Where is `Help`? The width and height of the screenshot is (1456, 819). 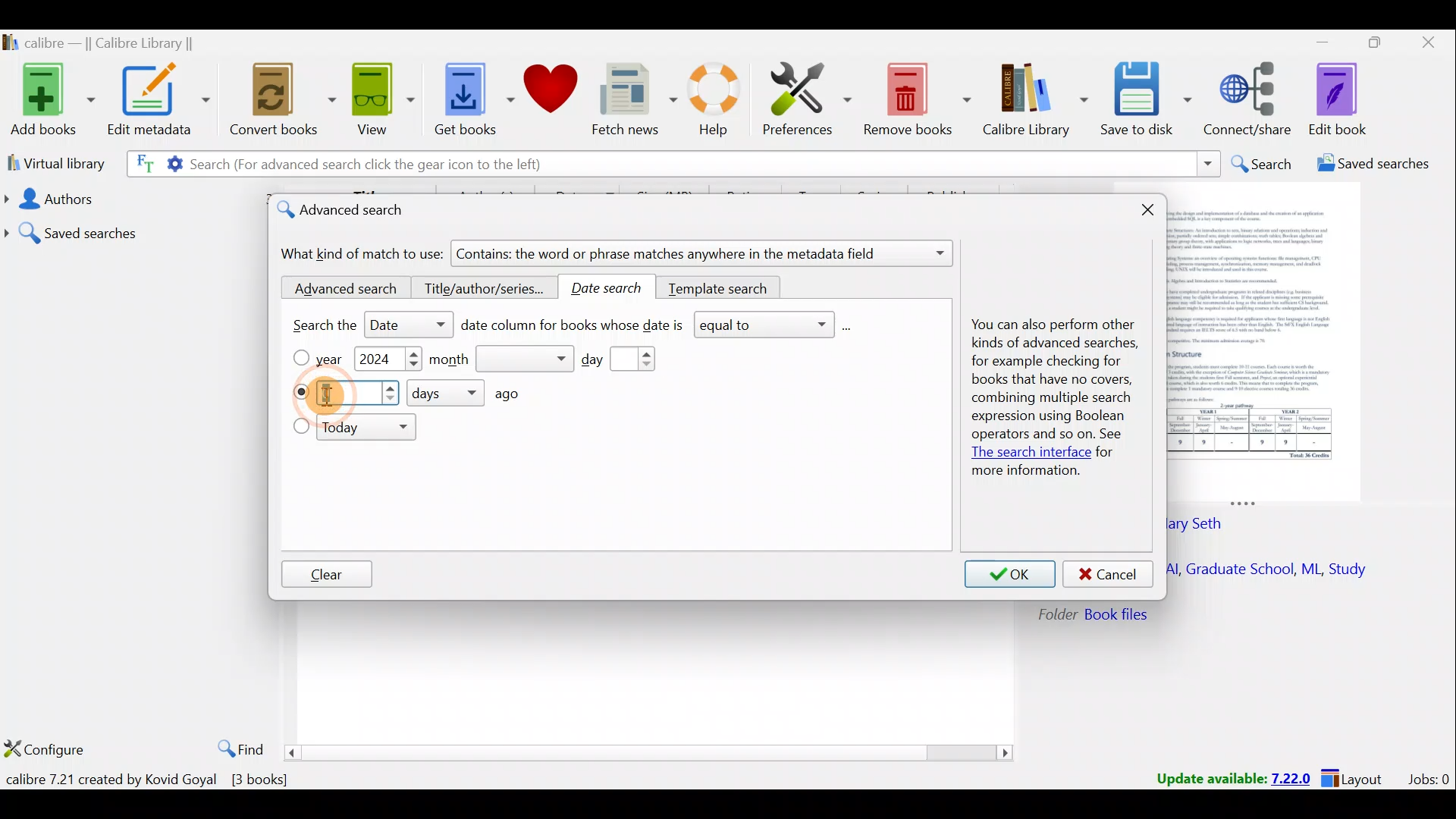
Help is located at coordinates (720, 102).